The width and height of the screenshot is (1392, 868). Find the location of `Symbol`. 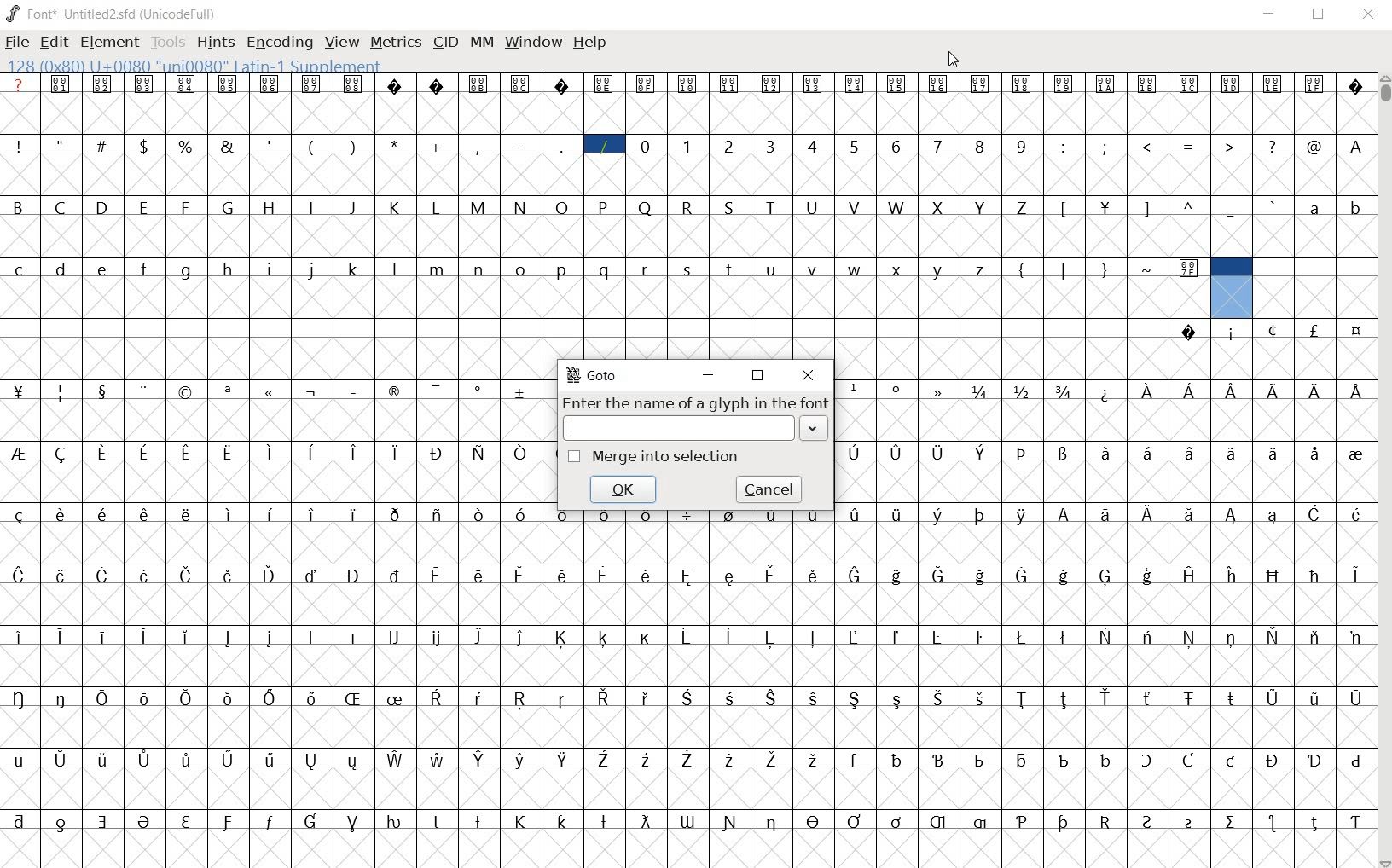

Symbol is located at coordinates (314, 820).